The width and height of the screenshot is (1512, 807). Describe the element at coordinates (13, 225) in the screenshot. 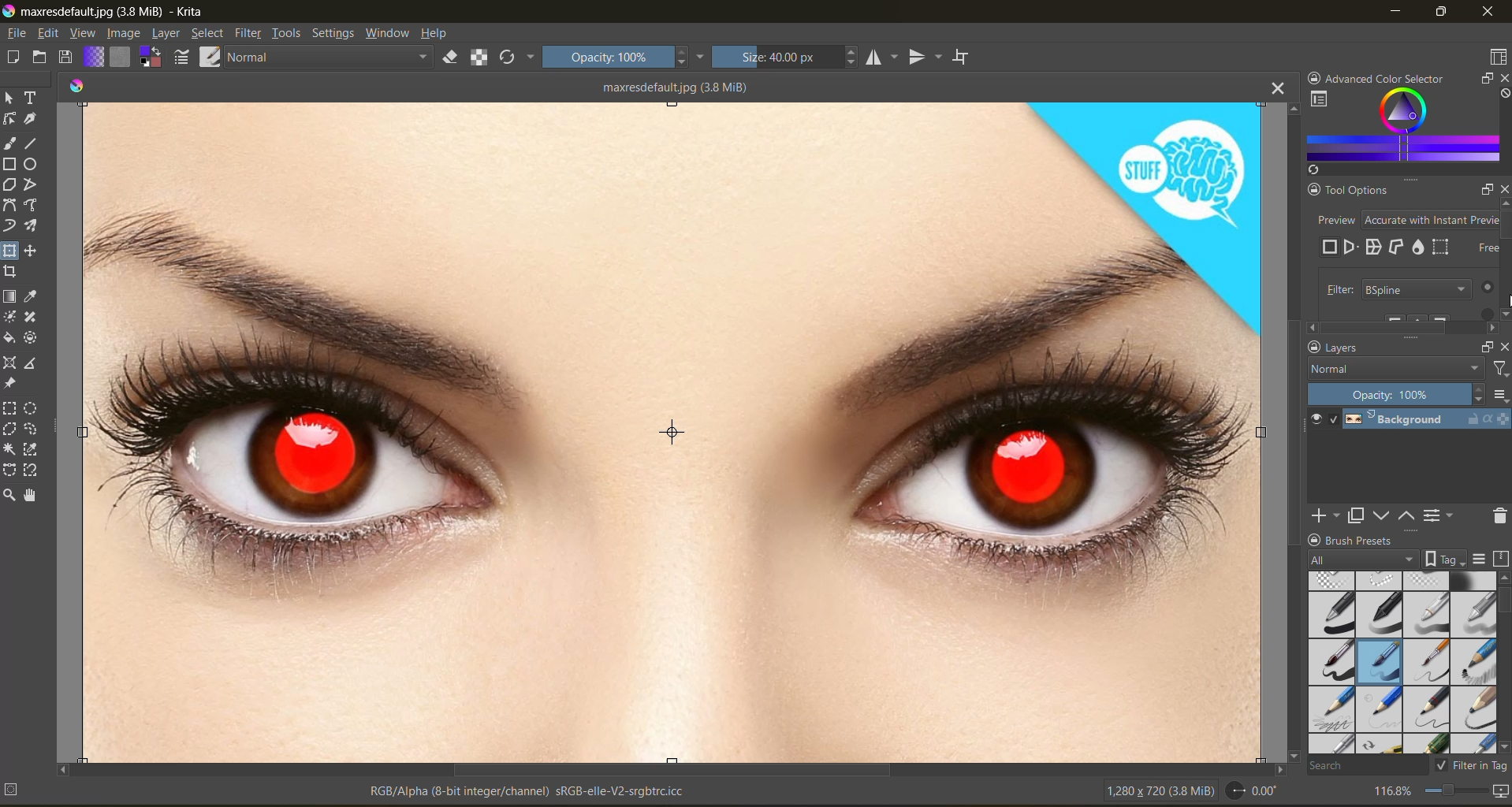

I see `tool` at that location.